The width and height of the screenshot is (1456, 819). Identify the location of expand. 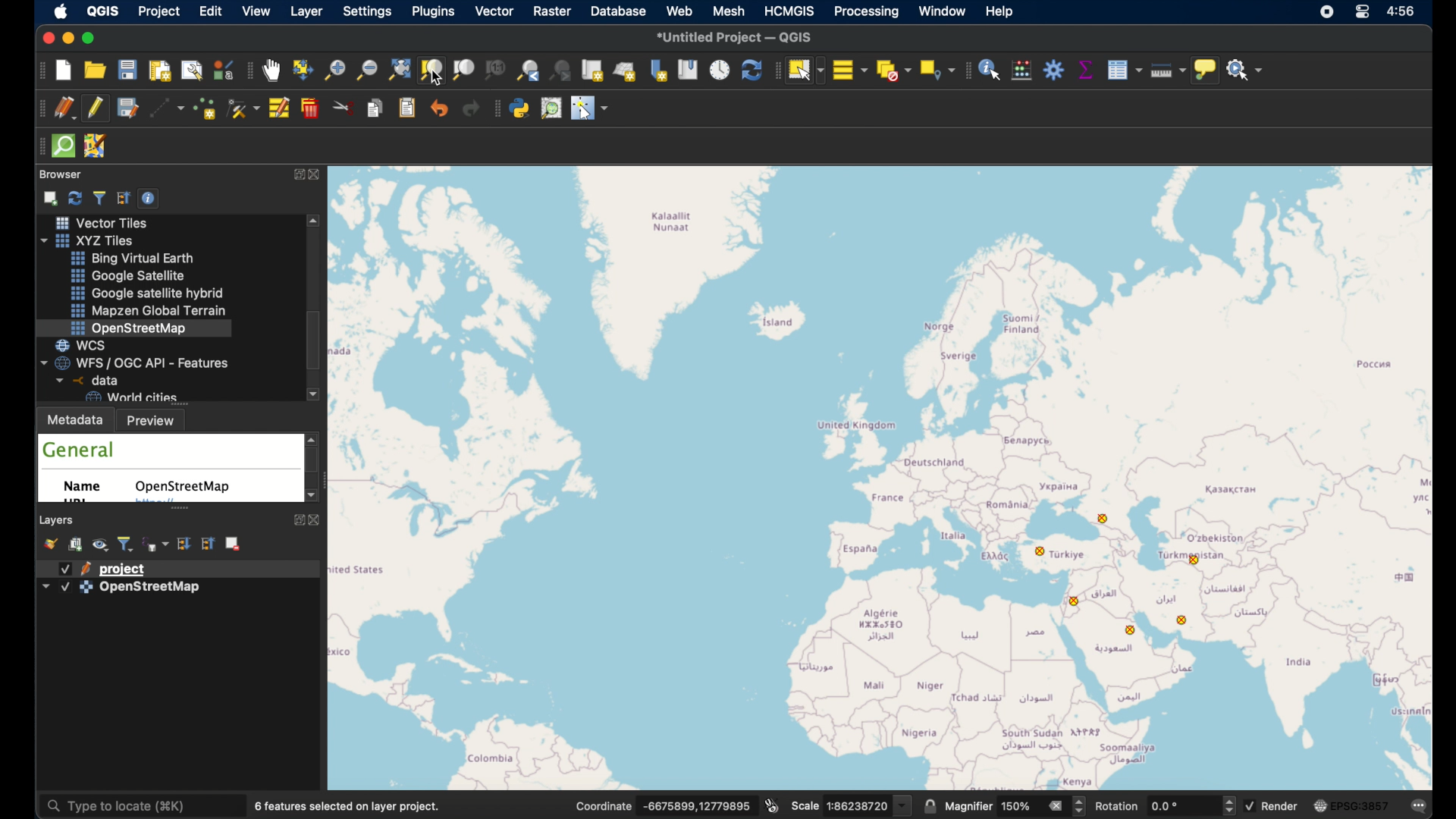
(297, 522).